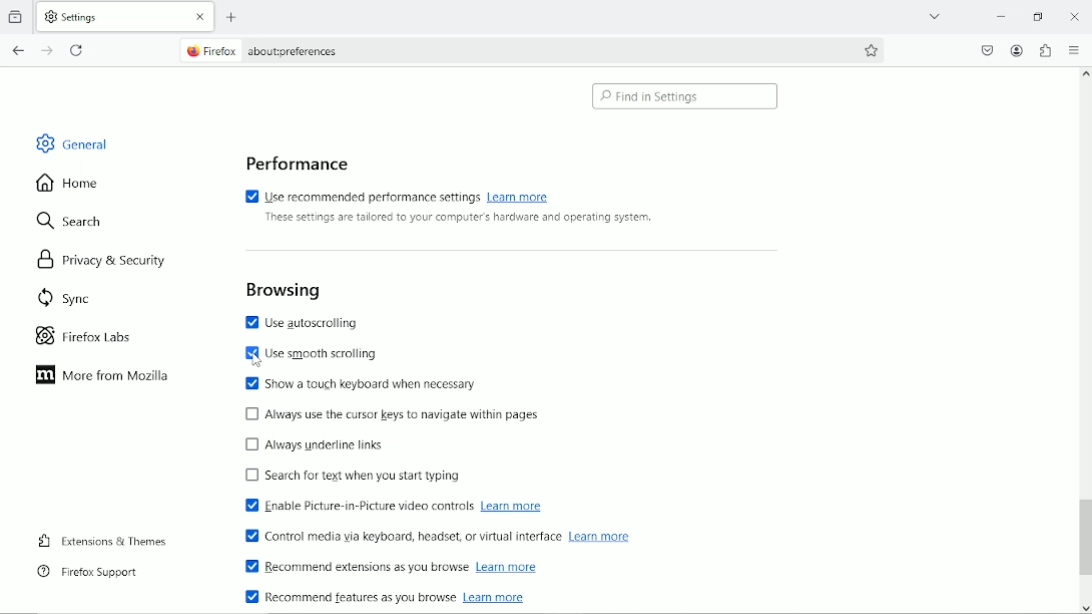 This screenshot has width=1092, height=614. Describe the element at coordinates (317, 443) in the screenshot. I see `Always underline links` at that location.